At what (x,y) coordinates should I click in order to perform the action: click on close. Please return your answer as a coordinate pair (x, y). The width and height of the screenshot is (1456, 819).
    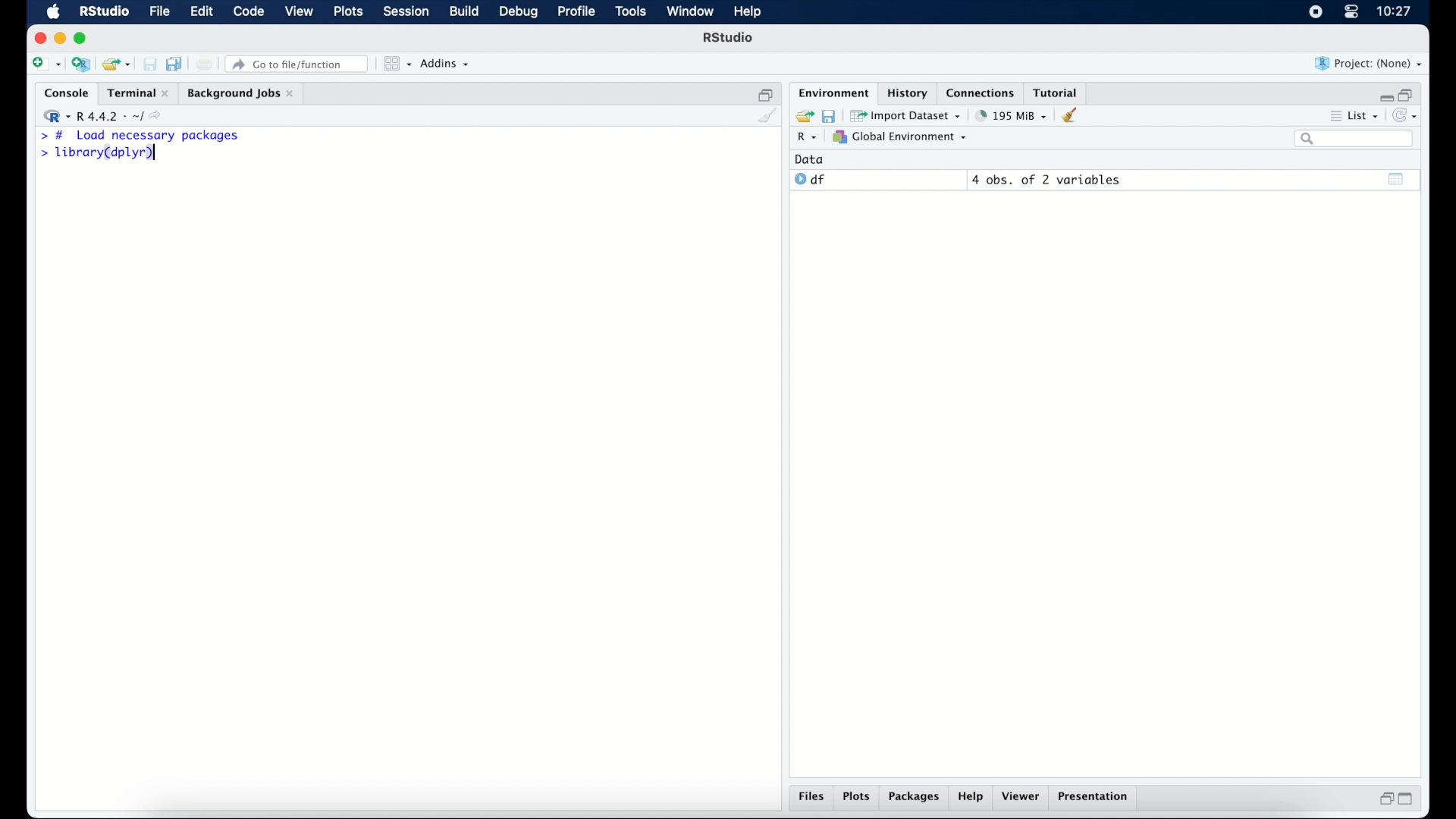
    Looking at the image, I should click on (40, 38).